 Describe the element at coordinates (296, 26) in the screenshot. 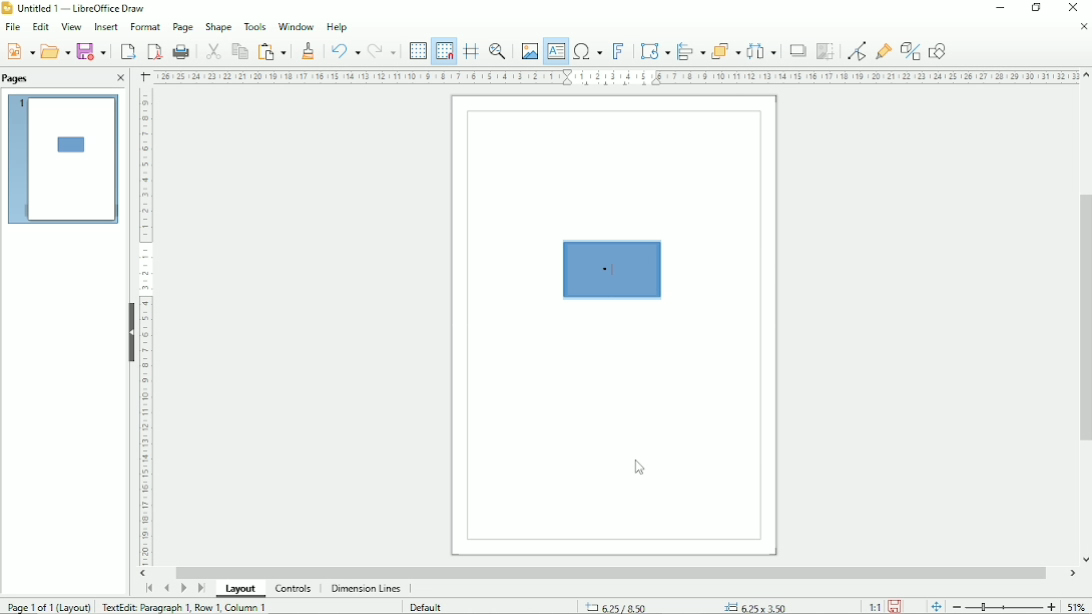

I see `Window` at that location.